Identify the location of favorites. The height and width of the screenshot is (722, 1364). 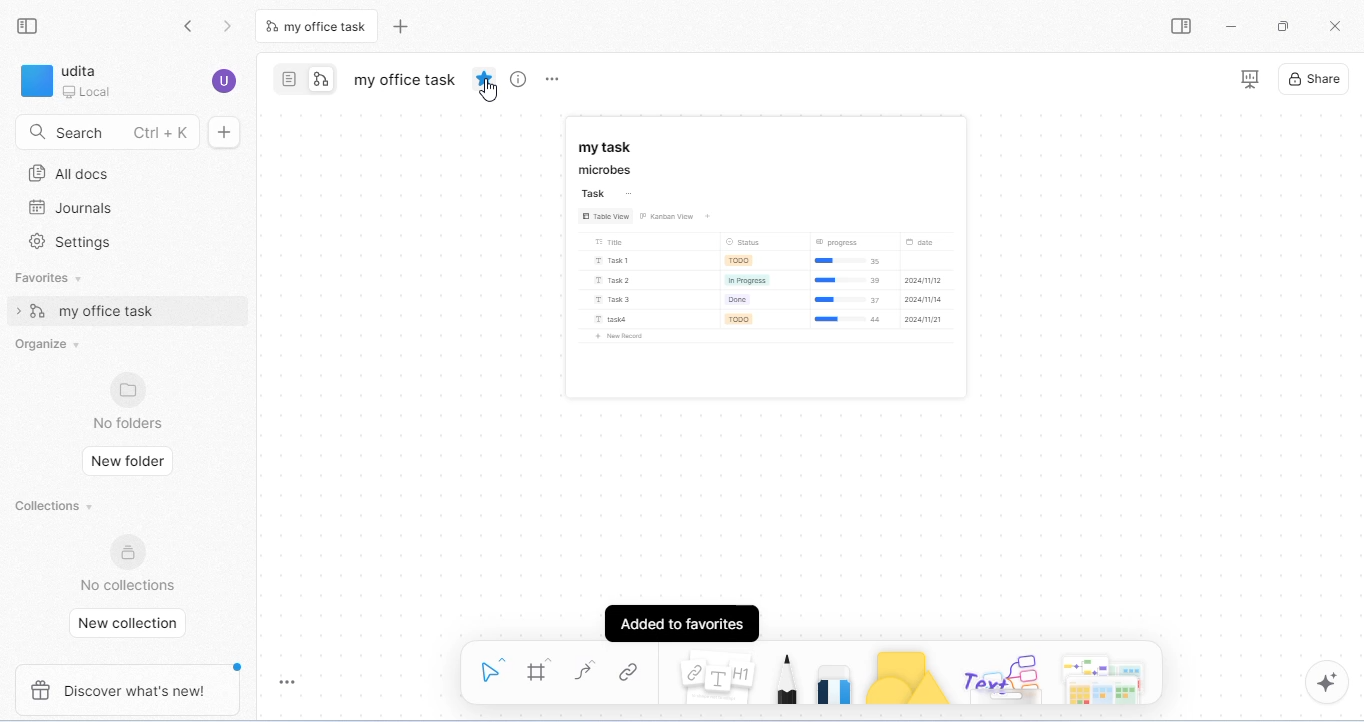
(55, 278).